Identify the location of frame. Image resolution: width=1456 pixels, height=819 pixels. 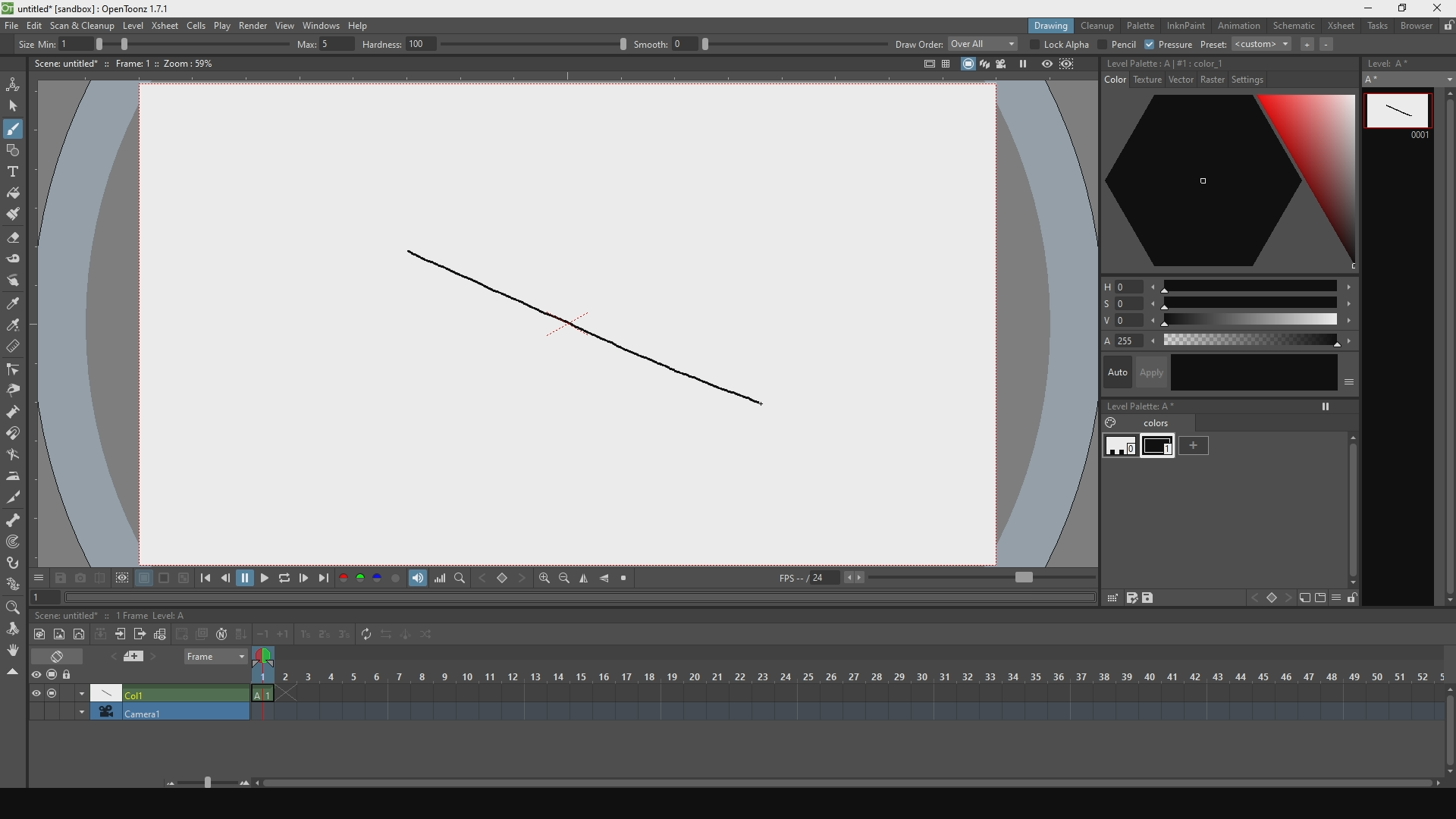
(211, 659).